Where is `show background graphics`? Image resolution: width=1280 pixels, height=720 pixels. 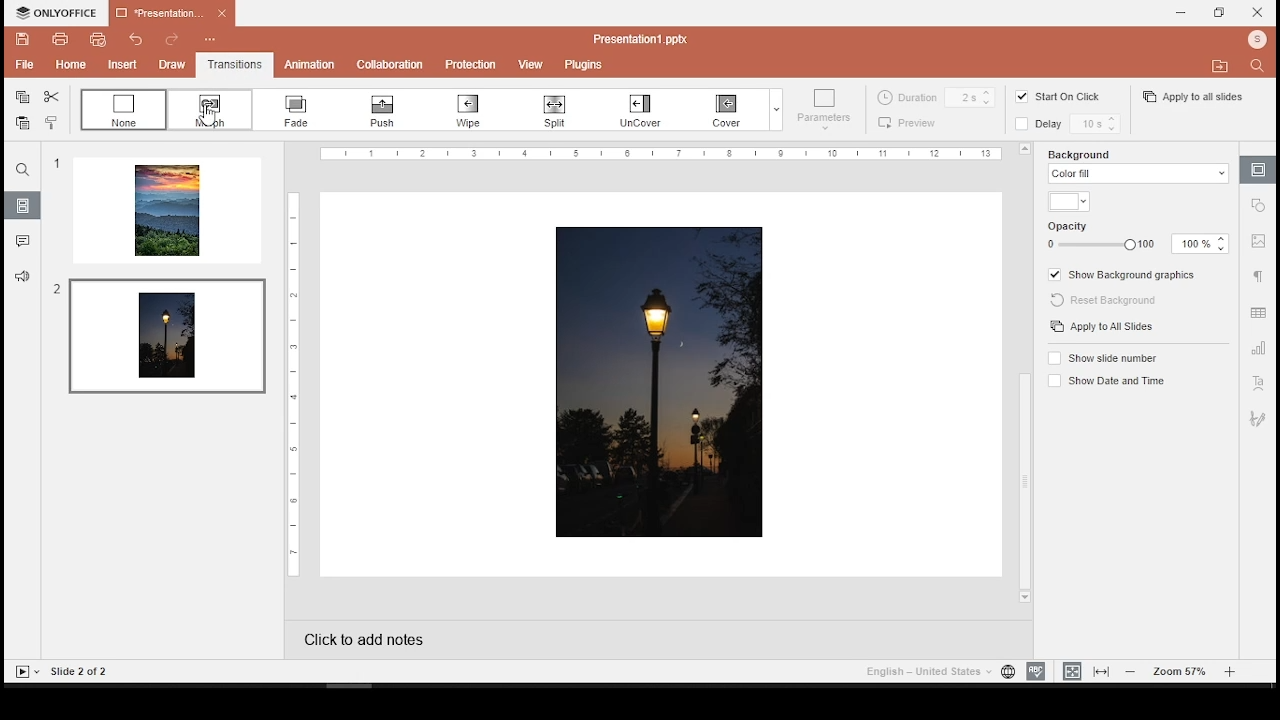 show background graphics is located at coordinates (1125, 274).